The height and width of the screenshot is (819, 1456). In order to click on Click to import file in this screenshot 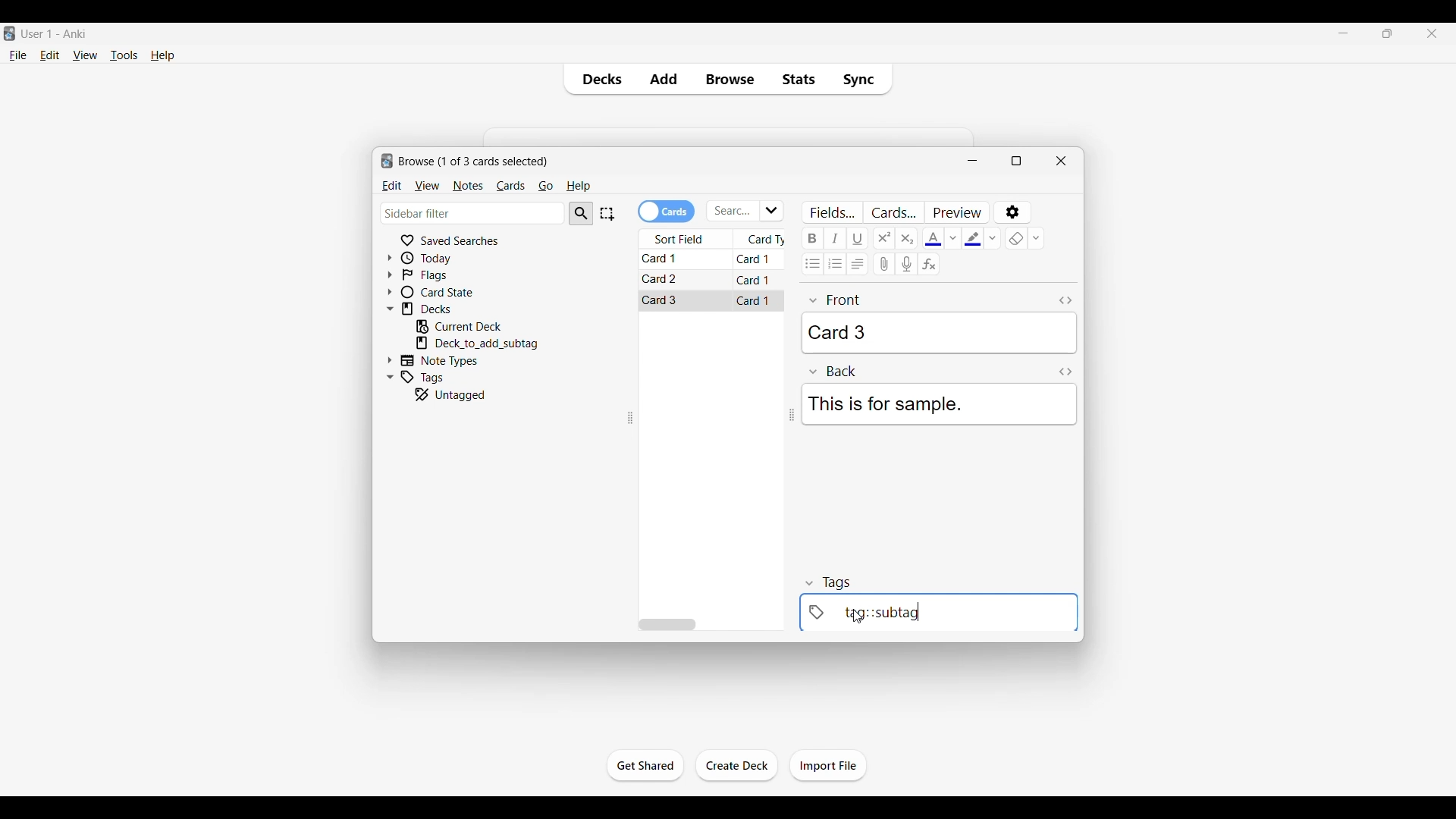, I will do `click(829, 766)`.